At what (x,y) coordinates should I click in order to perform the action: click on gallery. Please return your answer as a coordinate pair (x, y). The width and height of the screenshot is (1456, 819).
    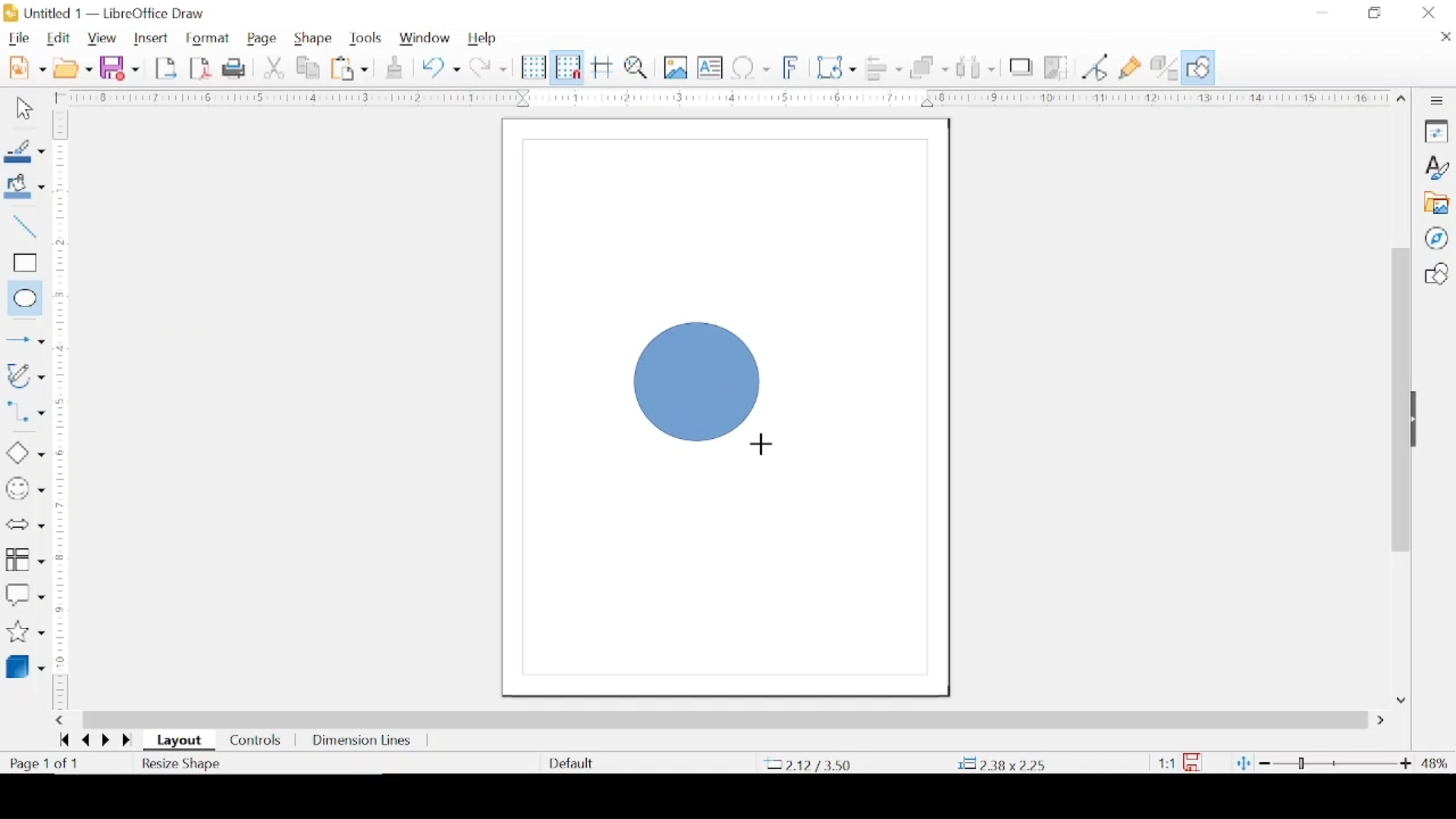
    Looking at the image, I should click on (1439, 203).